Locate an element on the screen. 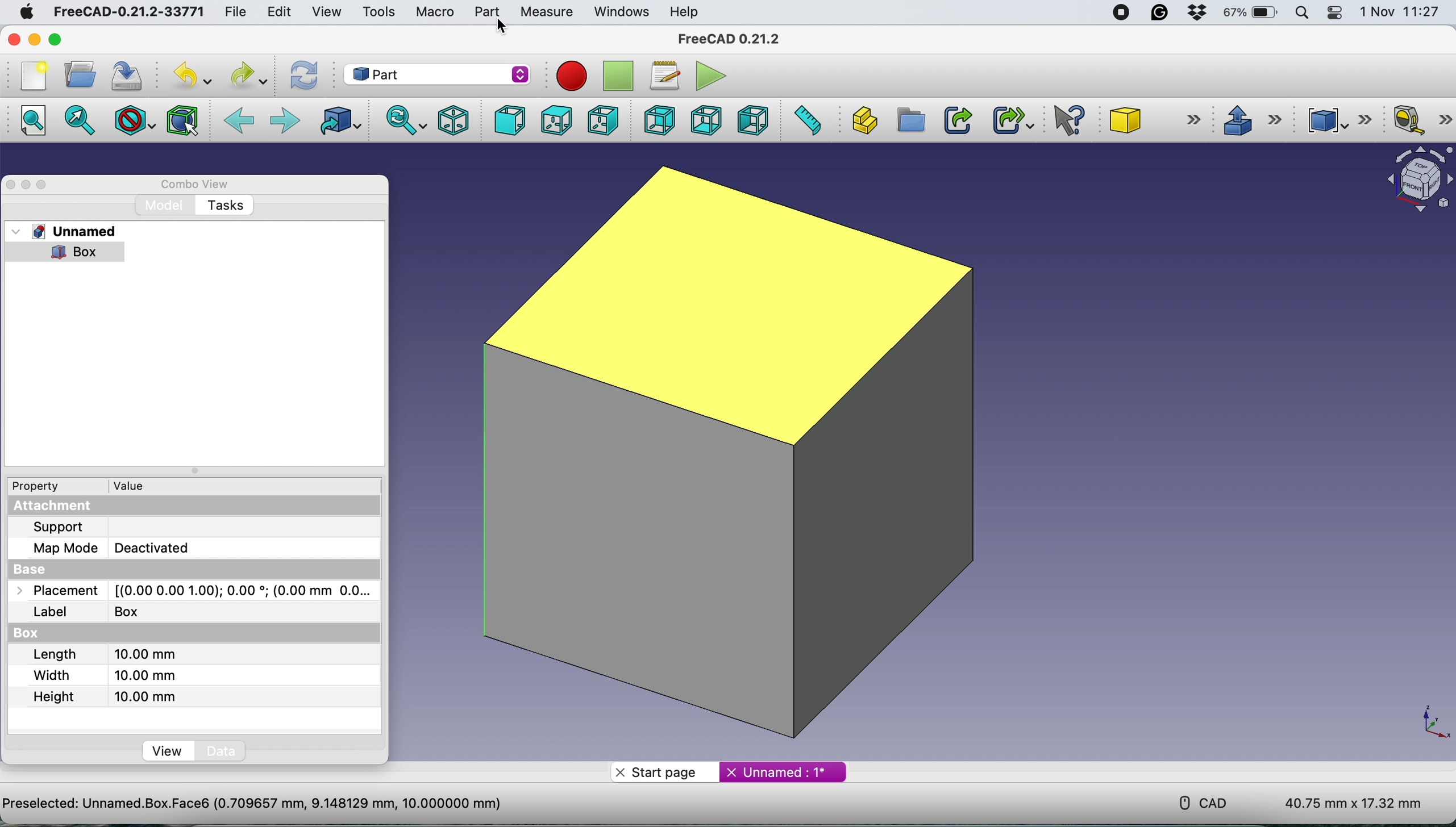 The image size is (1456, 827). isometric is located at coordinates (451, 121).